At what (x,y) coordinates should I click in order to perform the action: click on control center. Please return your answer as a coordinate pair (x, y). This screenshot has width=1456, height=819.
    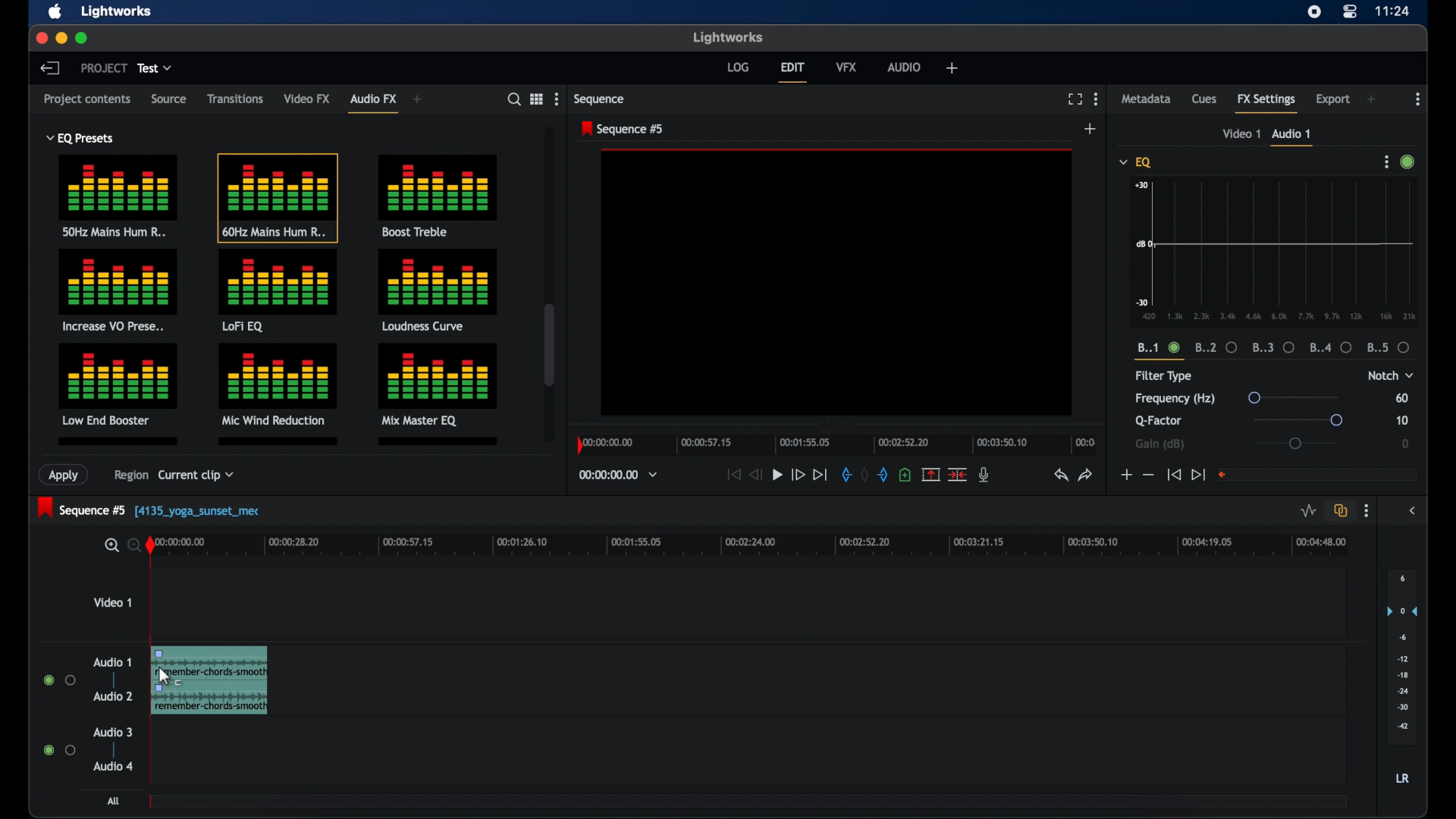
    Looking at the image, I should click on (1348, 12).